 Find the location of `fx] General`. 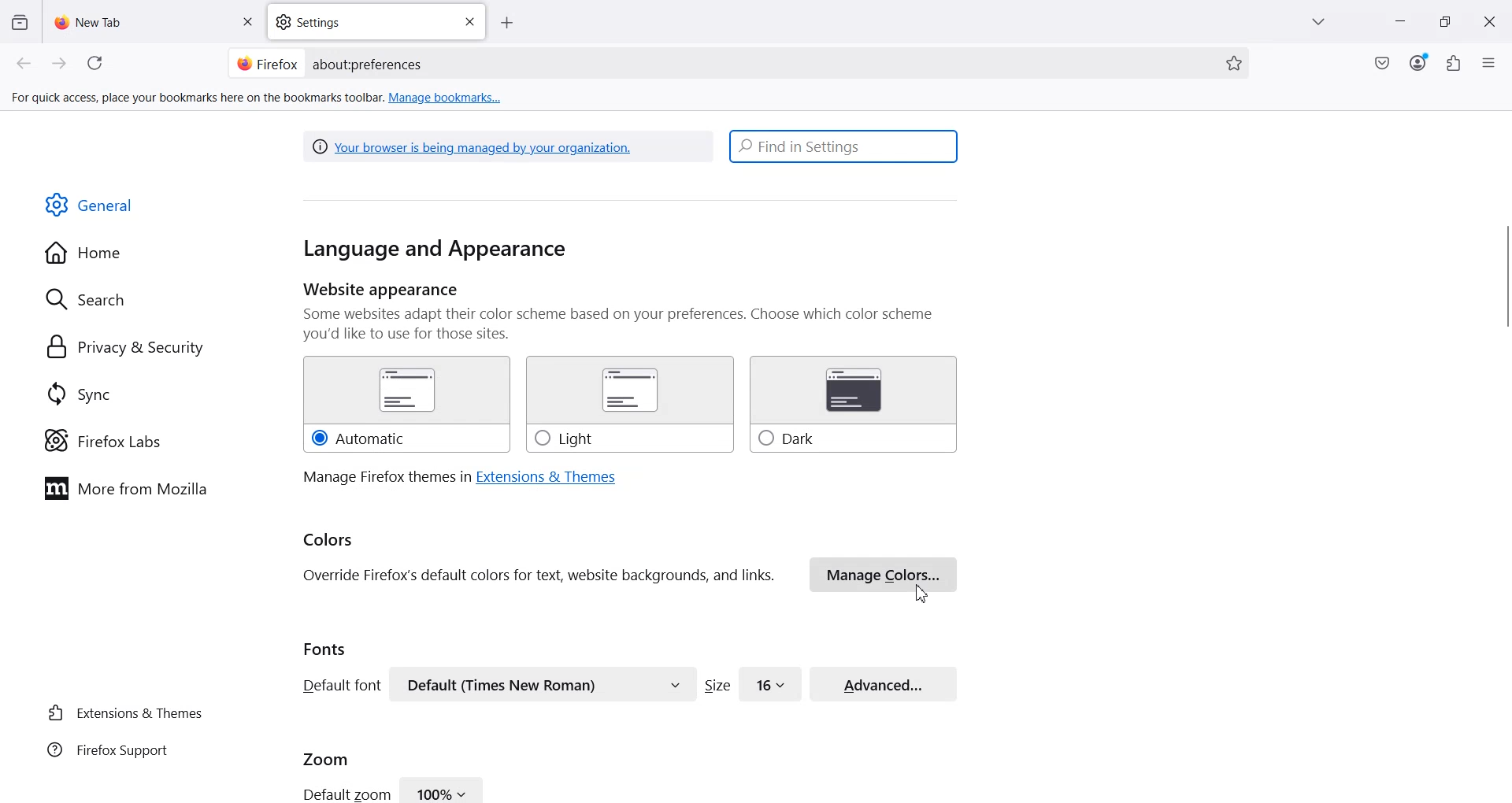

fx] General is located at coordinates (90, 205).